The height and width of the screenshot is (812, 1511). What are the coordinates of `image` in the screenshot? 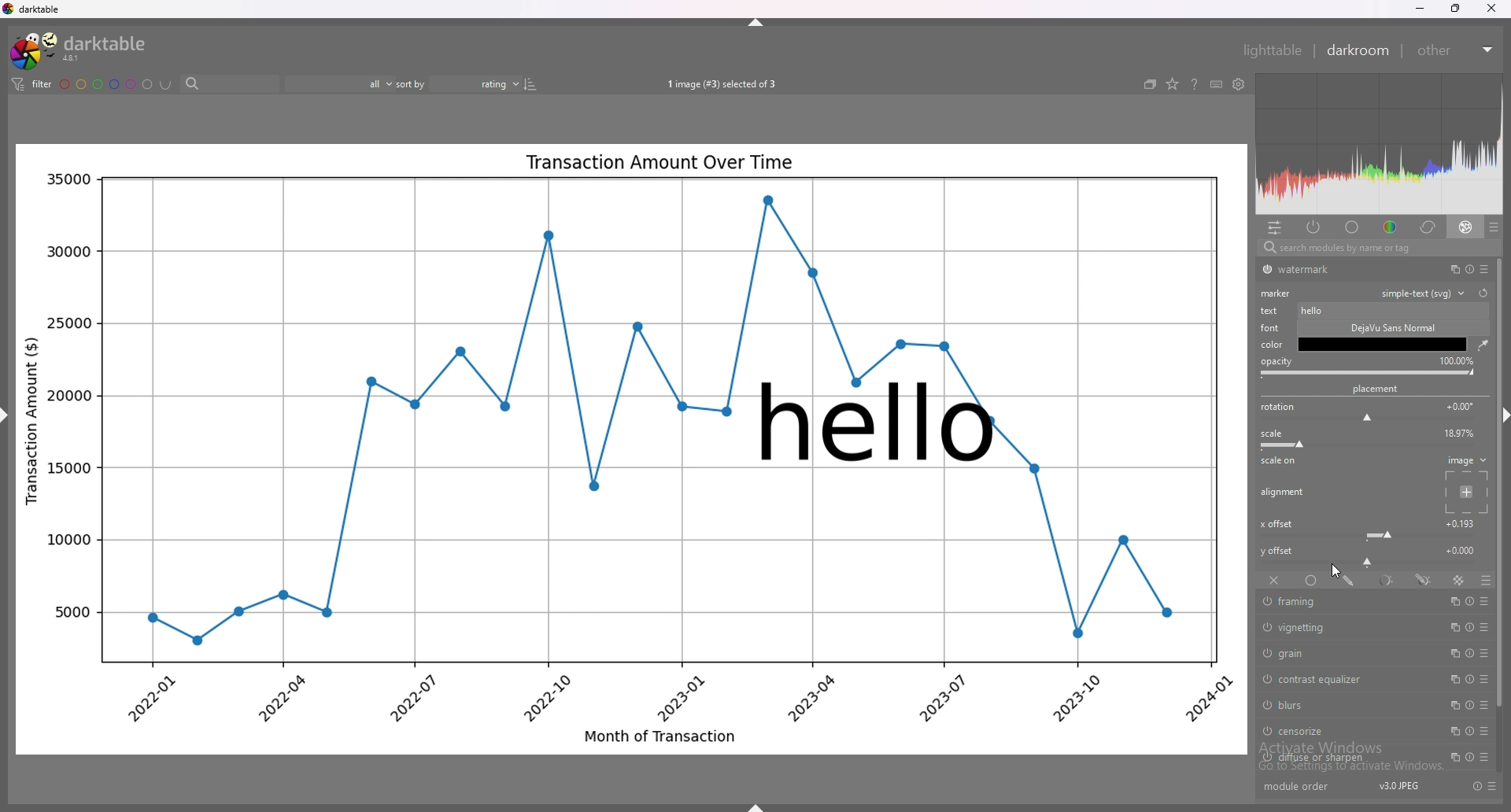 It's located at (1467, 460).